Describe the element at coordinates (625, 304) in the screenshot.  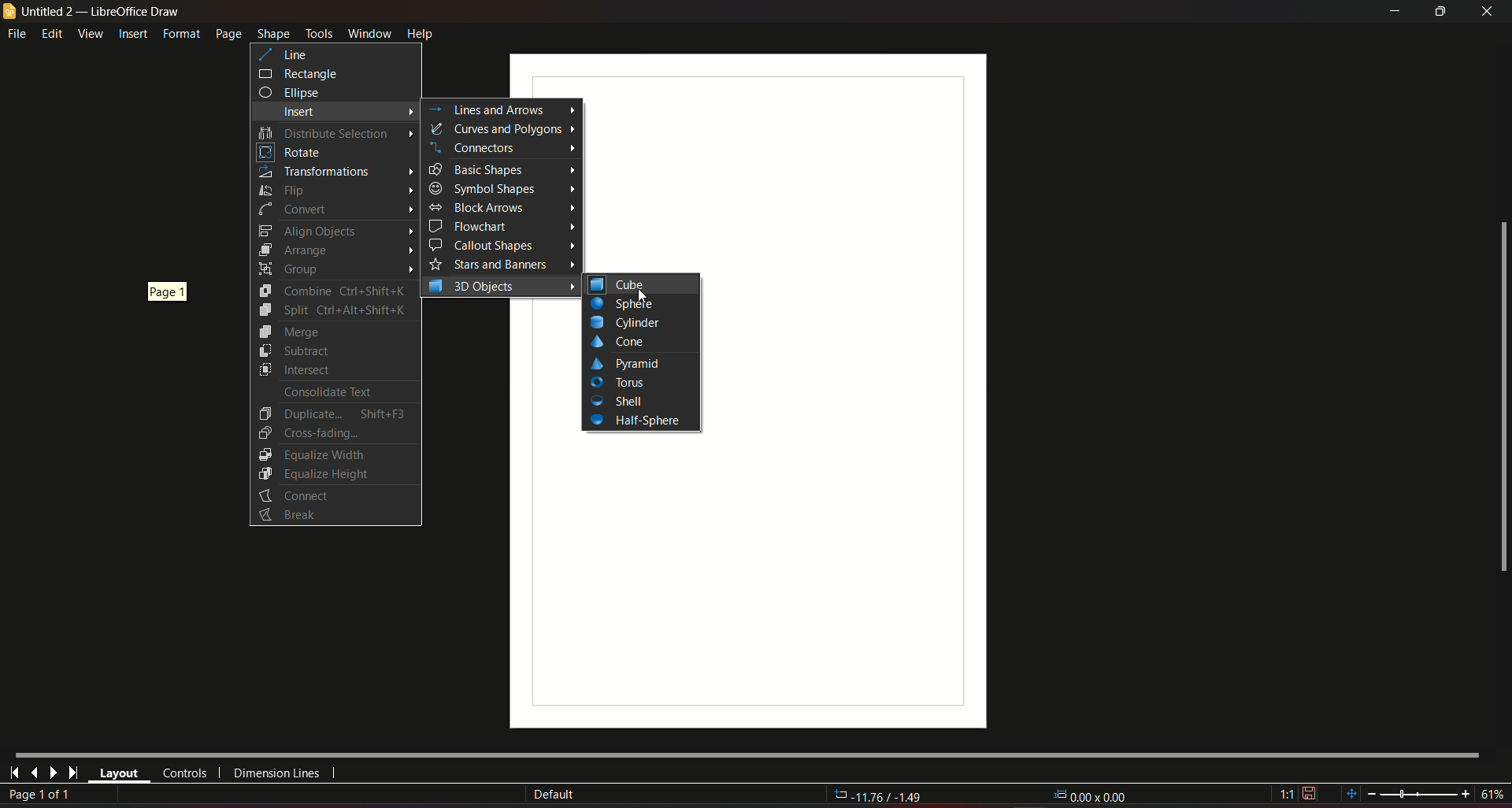
I see `` at that location.